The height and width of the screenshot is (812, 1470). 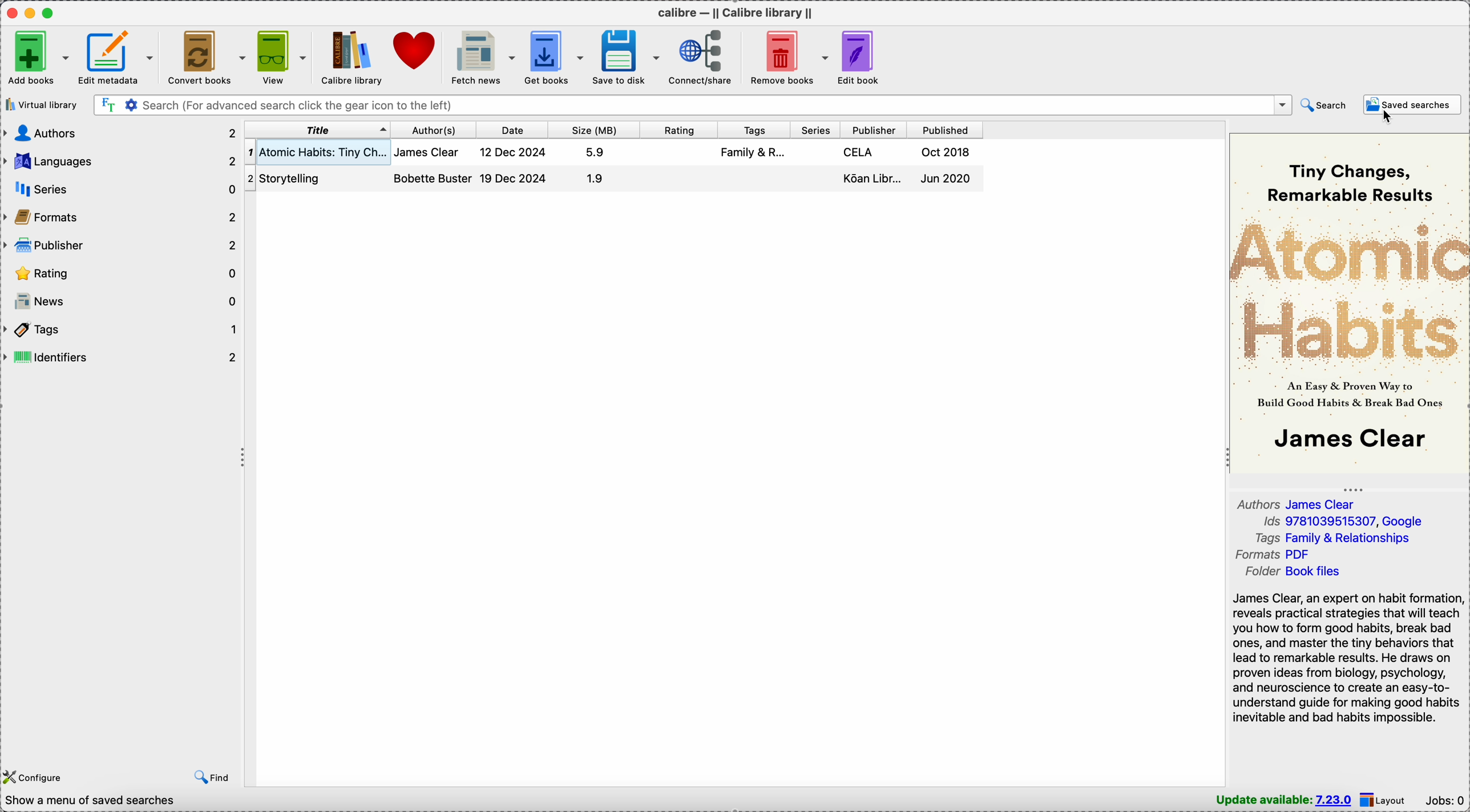 What do you see at coordinates (433, 168) in the screenshot?
I see `authors` at bounding box center [433, 168].